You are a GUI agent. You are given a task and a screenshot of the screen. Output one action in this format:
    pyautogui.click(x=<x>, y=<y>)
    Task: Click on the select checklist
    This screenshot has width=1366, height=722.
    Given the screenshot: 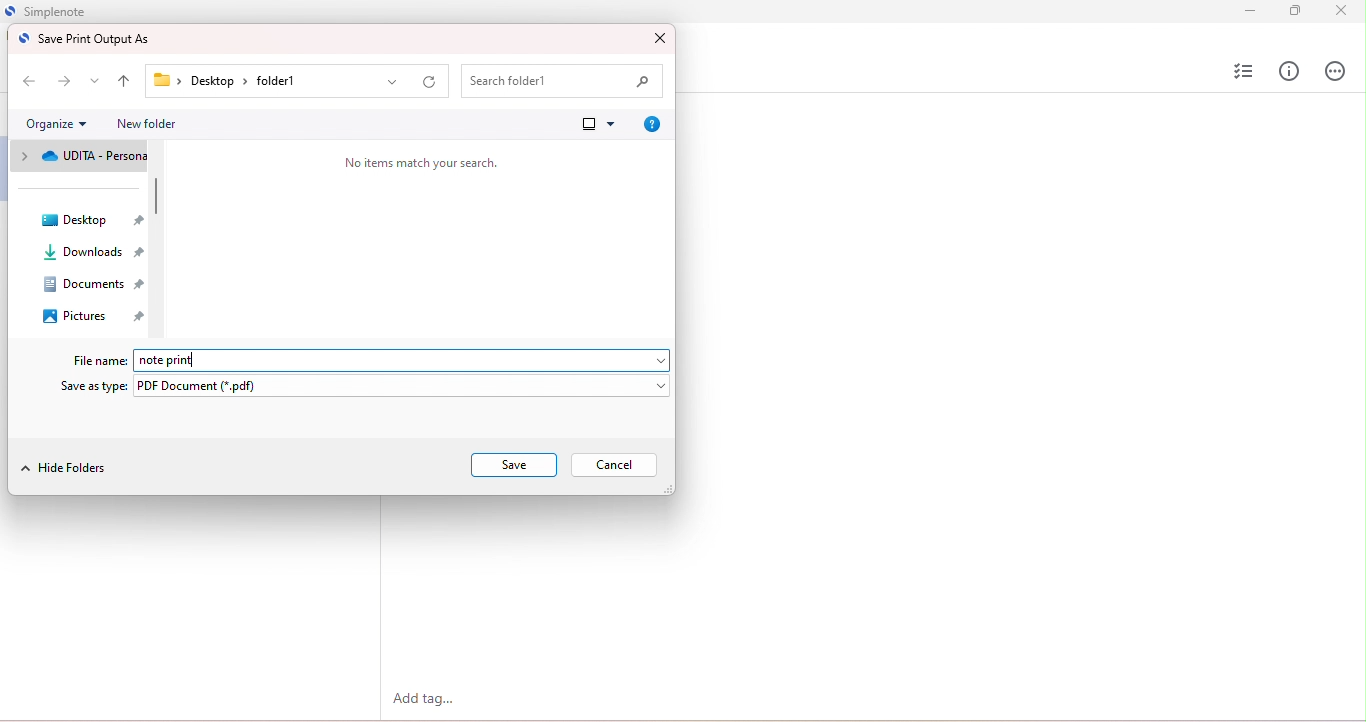 What is the action you would take?
    pyautogui.click(x=1240, y=71)
    